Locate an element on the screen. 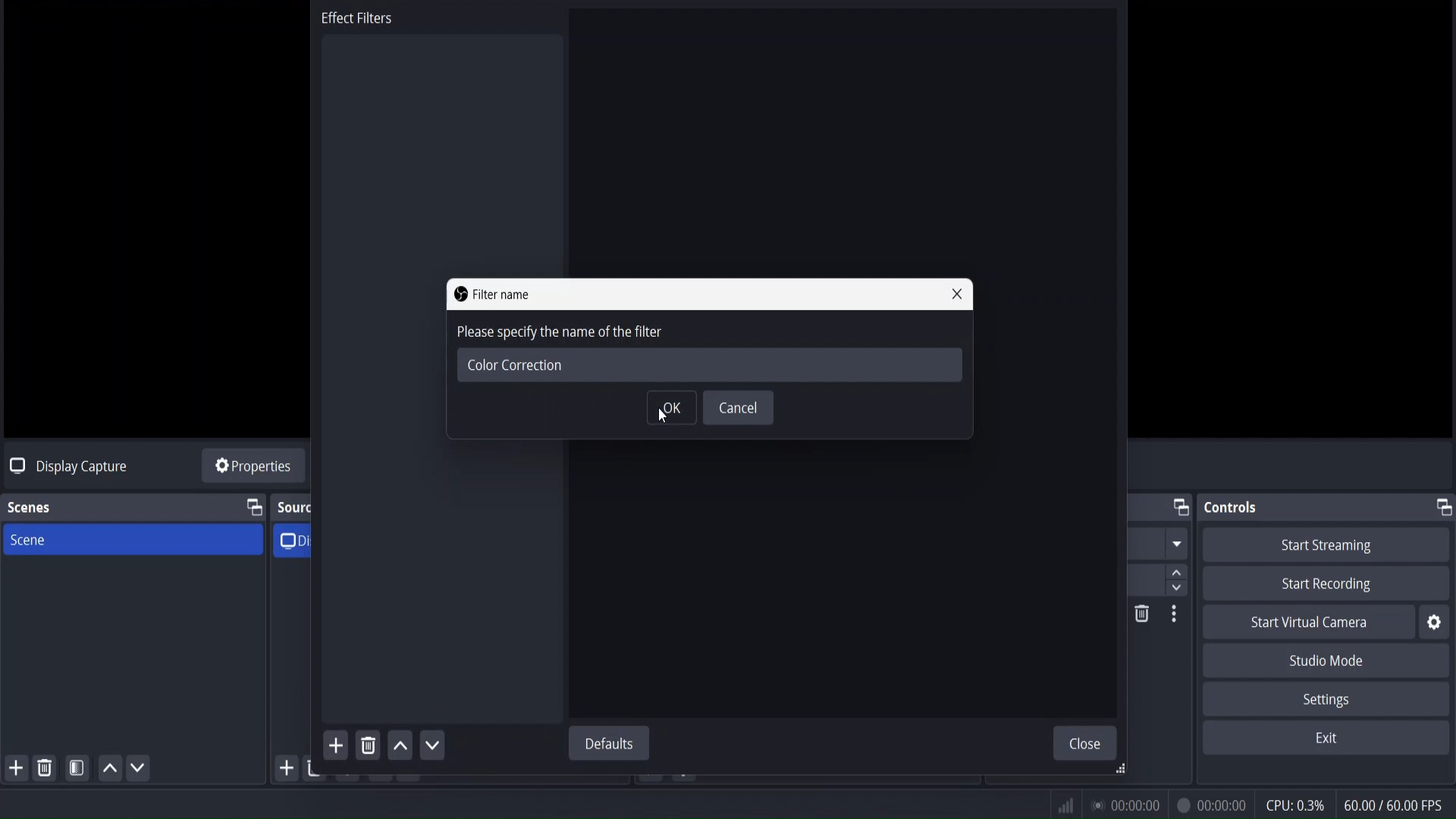  Please specify the name of the filter is located at coordinates (658, 334).